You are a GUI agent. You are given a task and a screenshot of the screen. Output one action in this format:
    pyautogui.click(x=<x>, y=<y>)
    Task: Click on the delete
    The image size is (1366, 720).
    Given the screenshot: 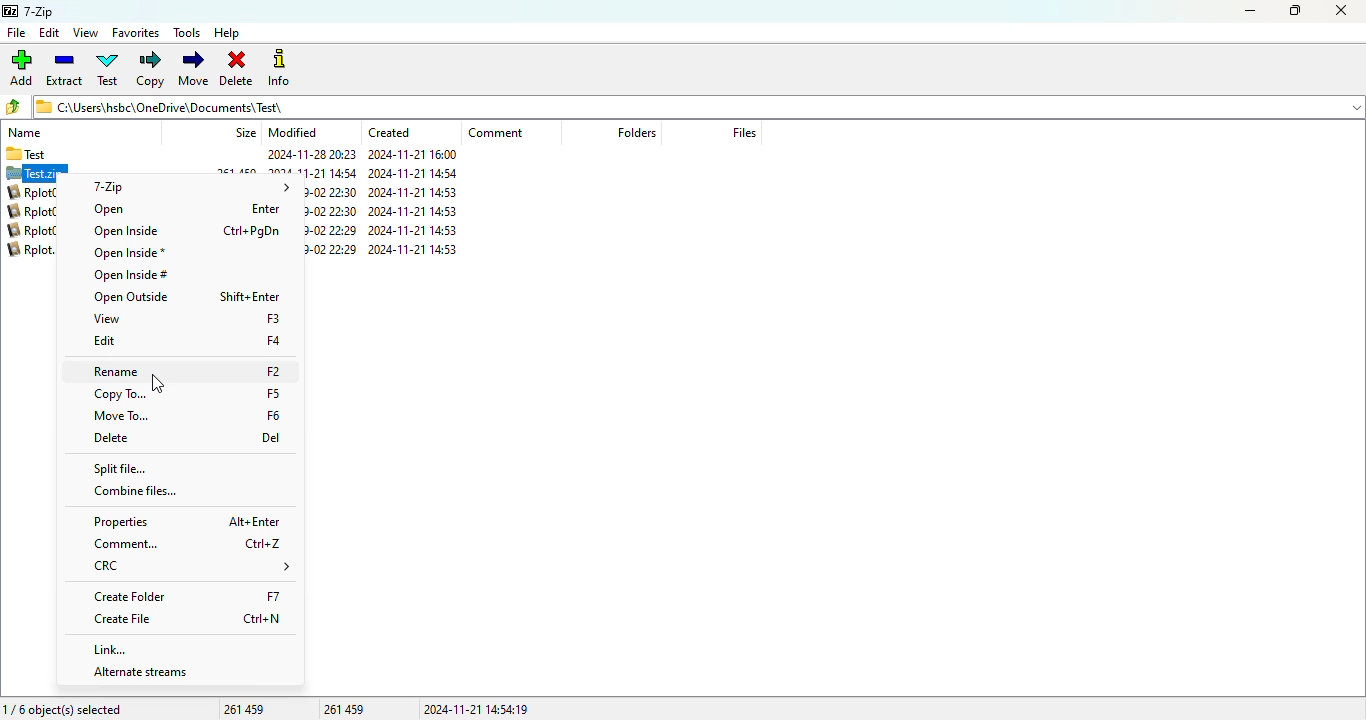 What is the action you would take?
    pyautogui.click(x=113, y=438)
    